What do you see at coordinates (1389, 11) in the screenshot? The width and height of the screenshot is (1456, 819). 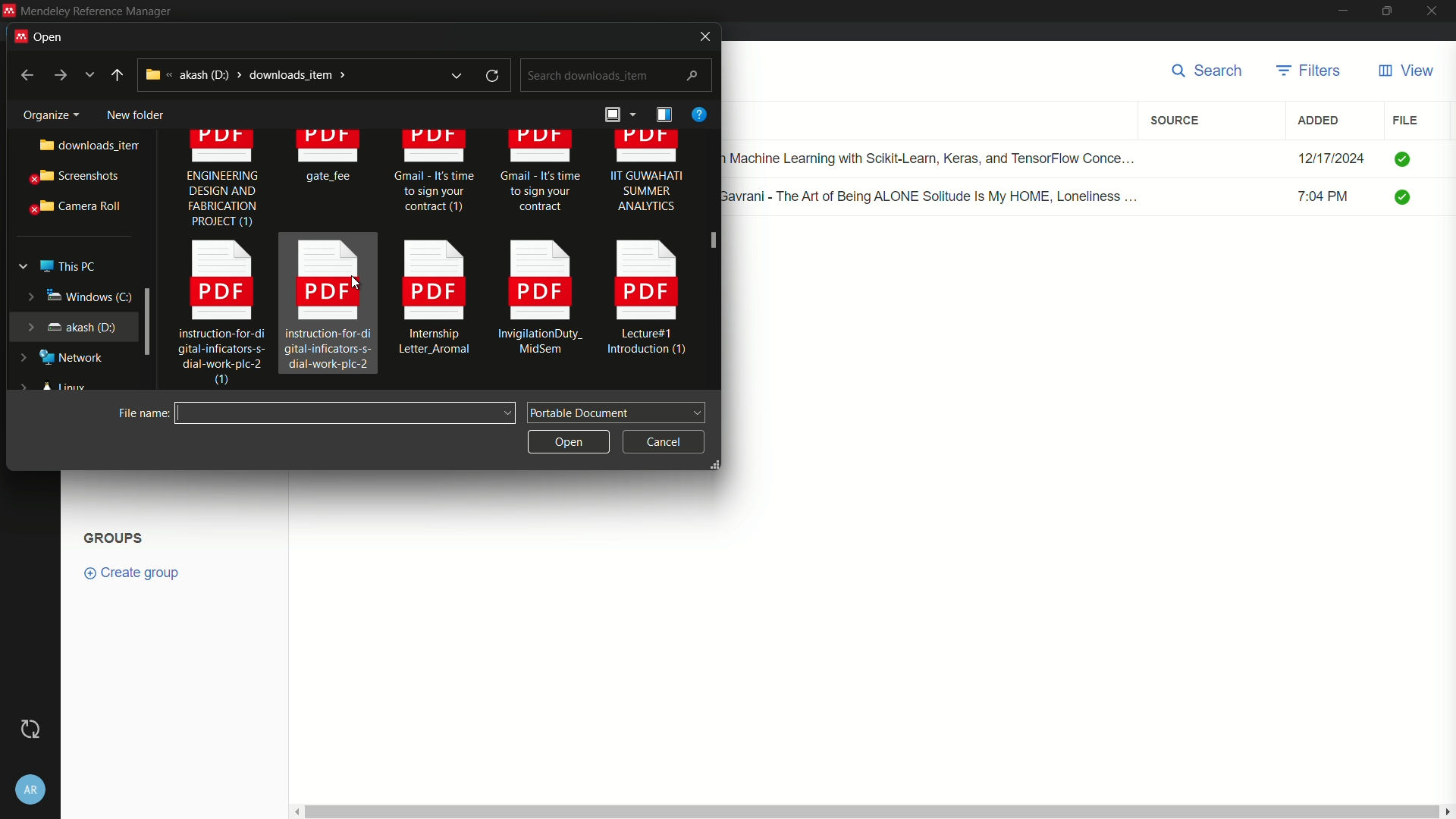 I see `maximize` at bounding box center [1389, 11].